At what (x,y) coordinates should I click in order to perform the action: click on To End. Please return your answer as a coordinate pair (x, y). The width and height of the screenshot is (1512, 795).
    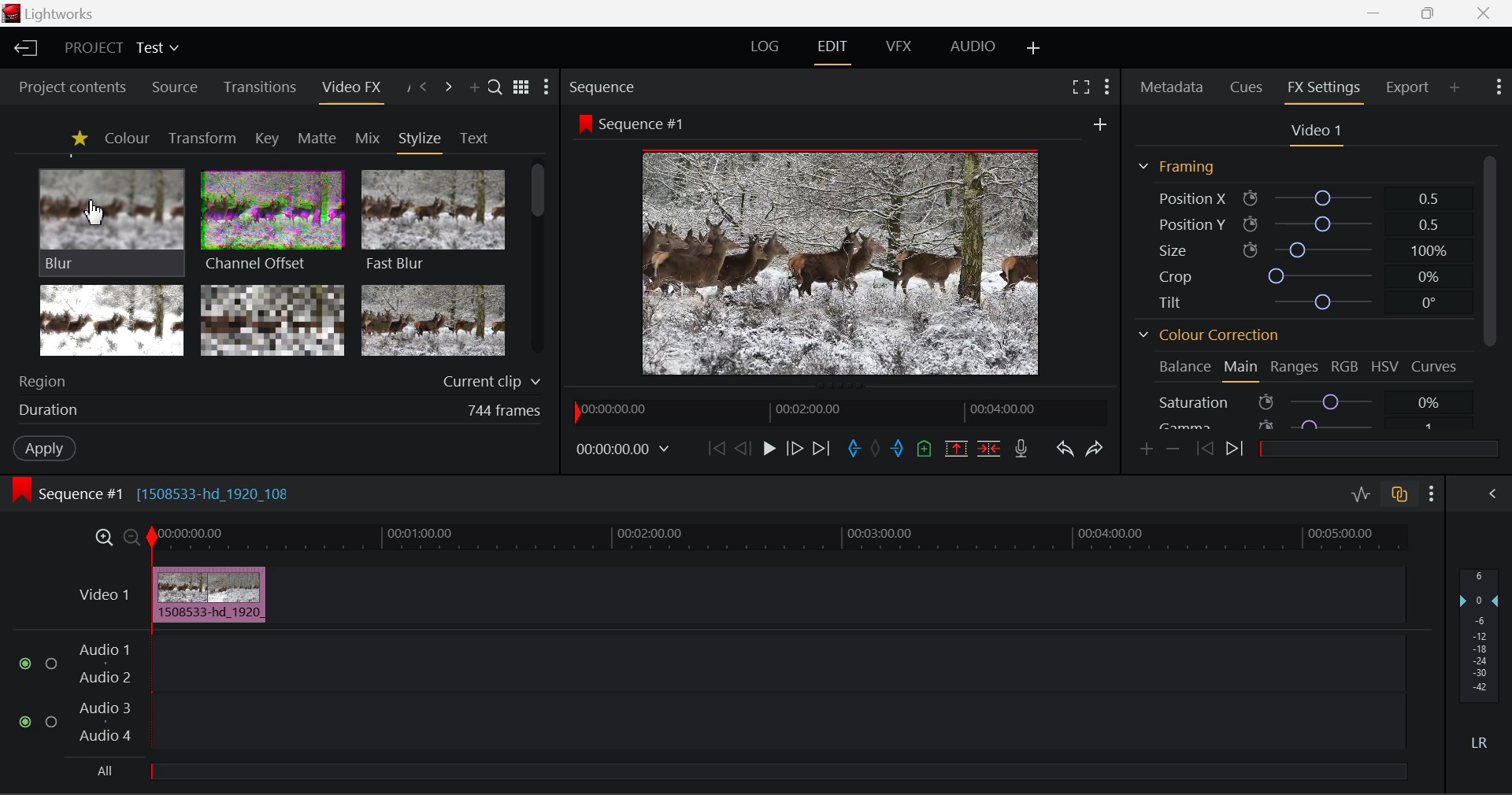
    Looking at the image, I should click on (823, 446).